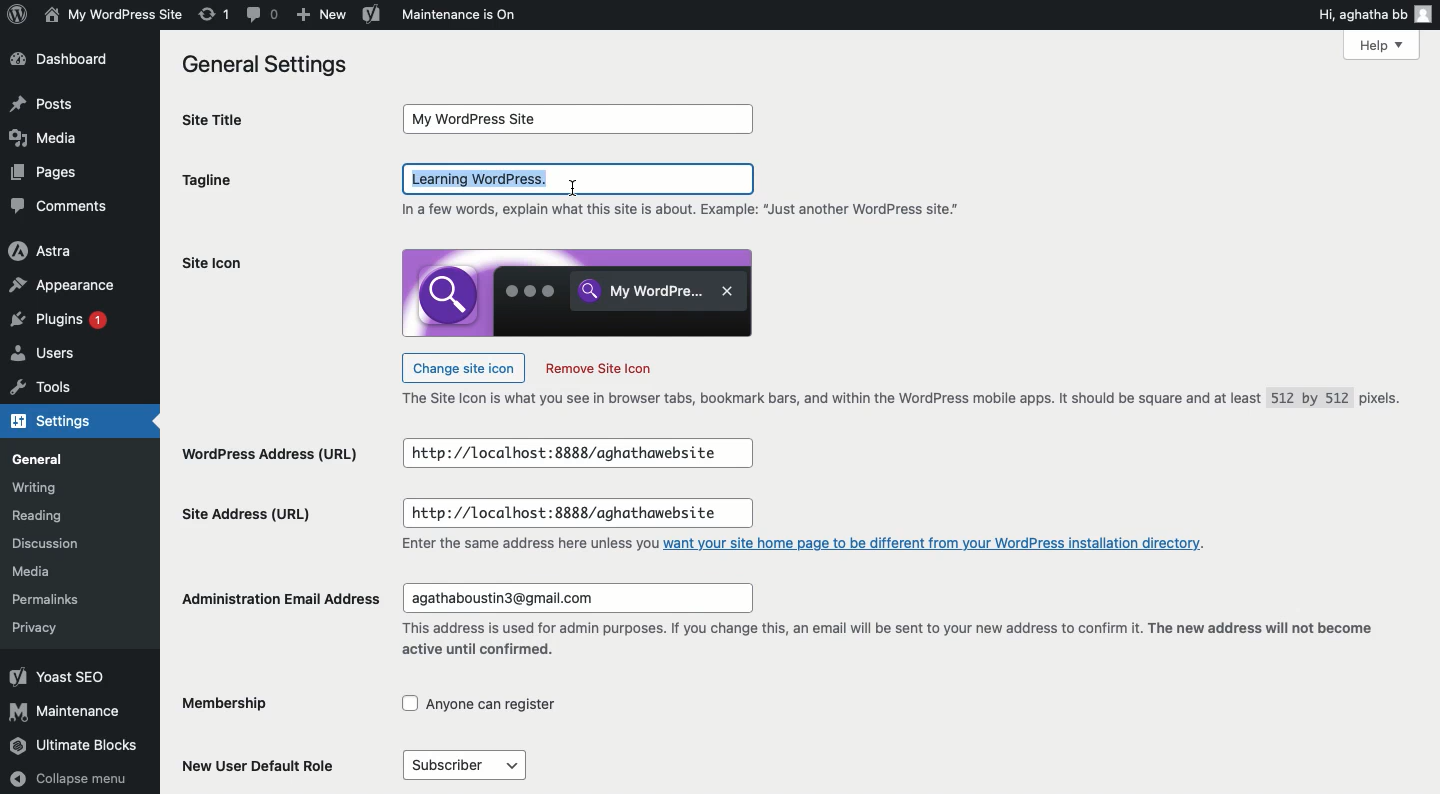 This screenshot has width=1440, height=794. Describe the element at coordinates (35, 487) in the screenshot. I see `Writing` at that location.